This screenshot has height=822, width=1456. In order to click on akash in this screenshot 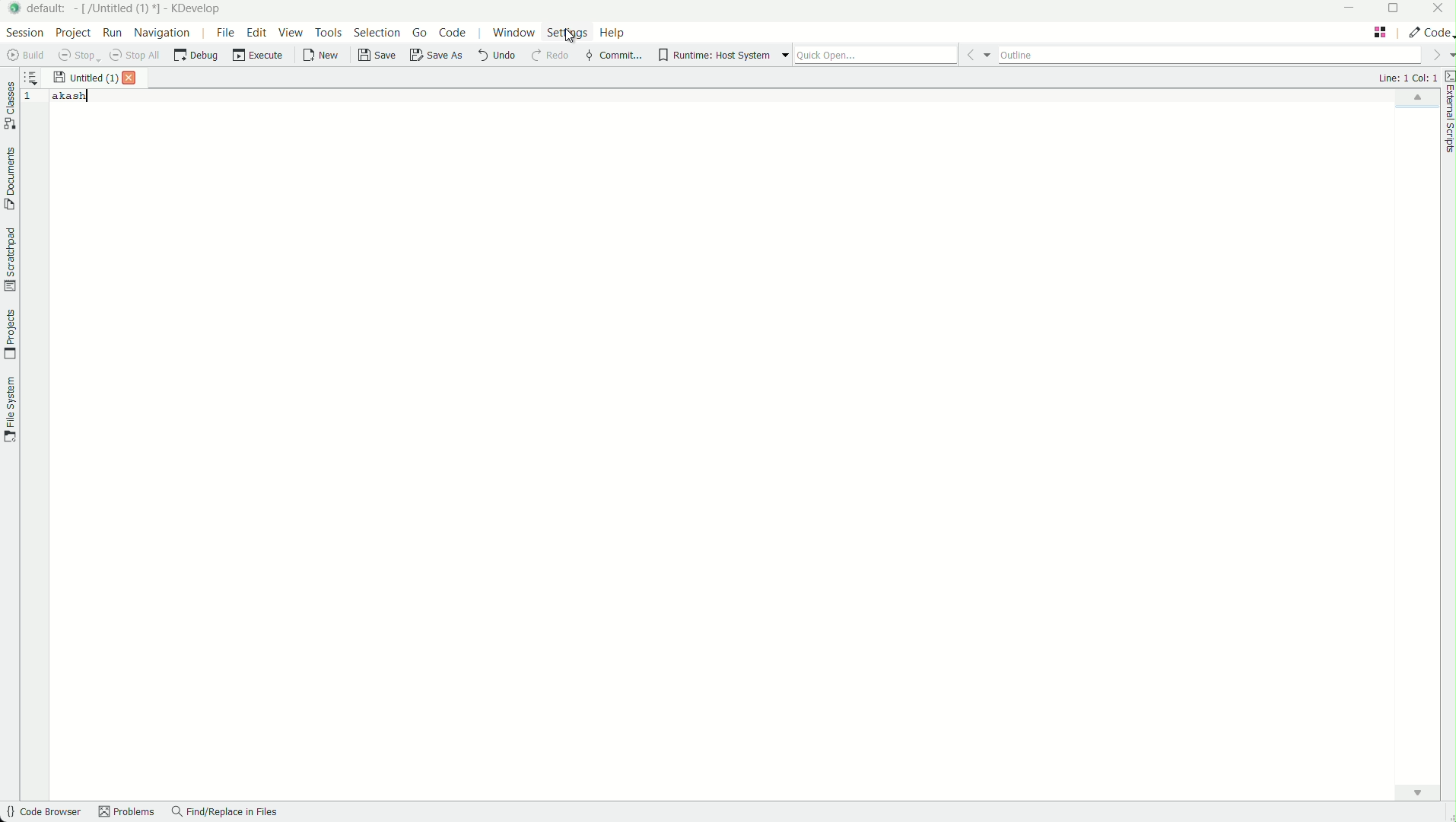, I will do `click(71, 96)`.